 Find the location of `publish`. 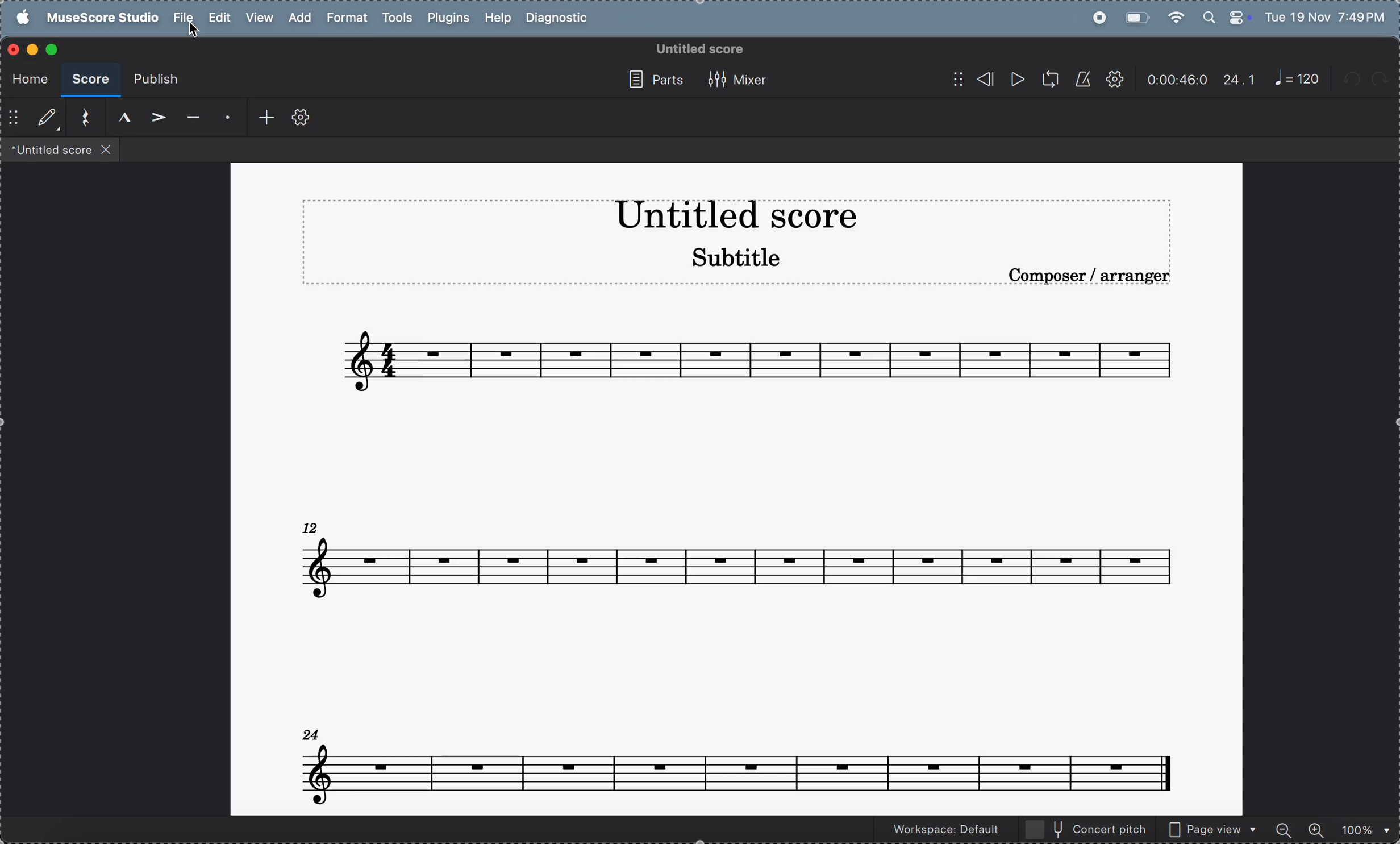

publish is located at coordinates (155, 80).